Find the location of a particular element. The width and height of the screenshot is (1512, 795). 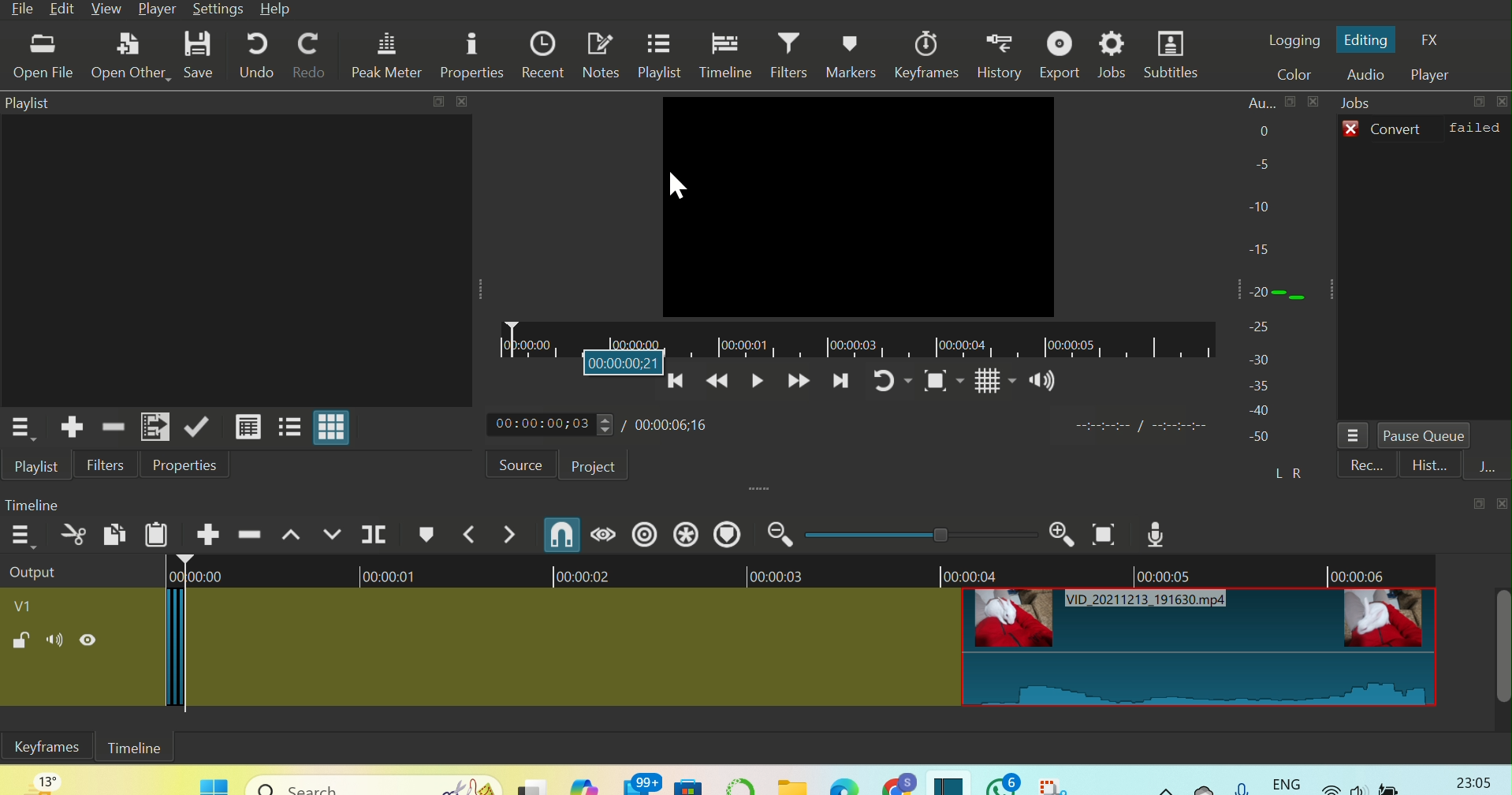

Undo is located at coordinates (252, 52).